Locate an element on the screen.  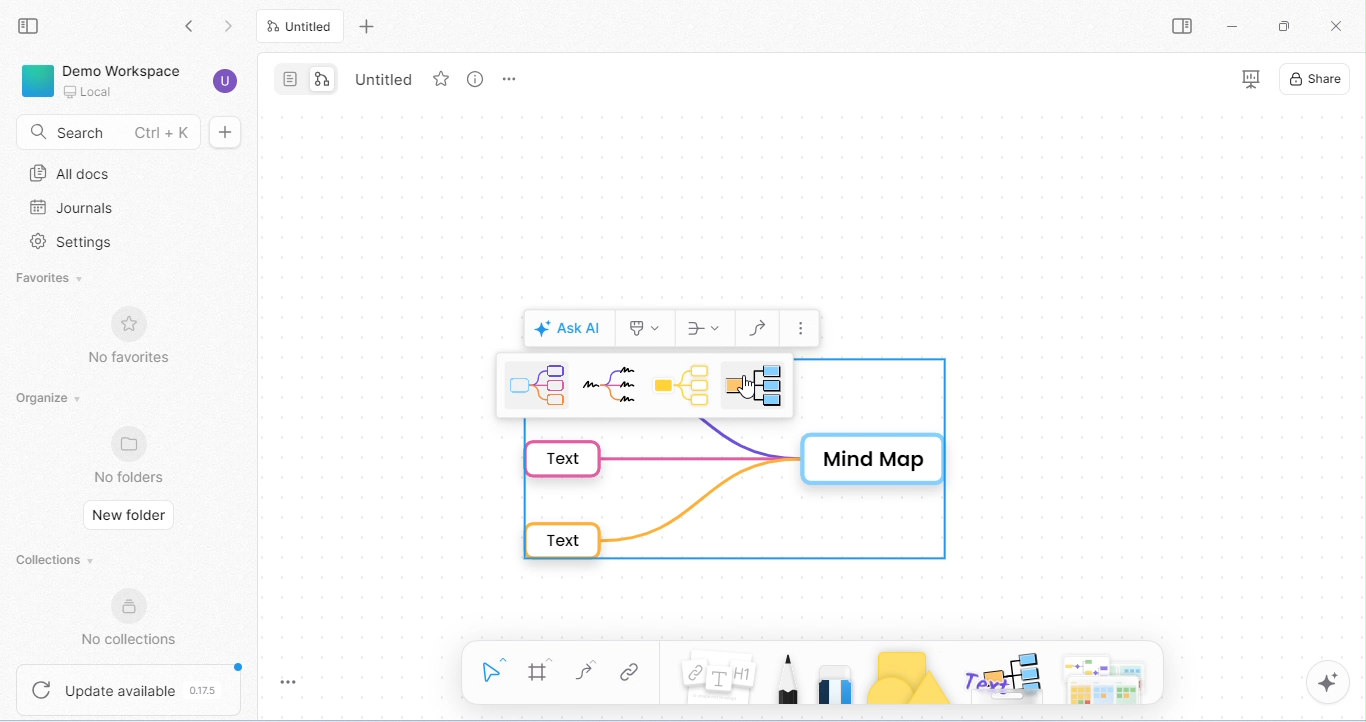
pencil is located at coordinates (787, 676).